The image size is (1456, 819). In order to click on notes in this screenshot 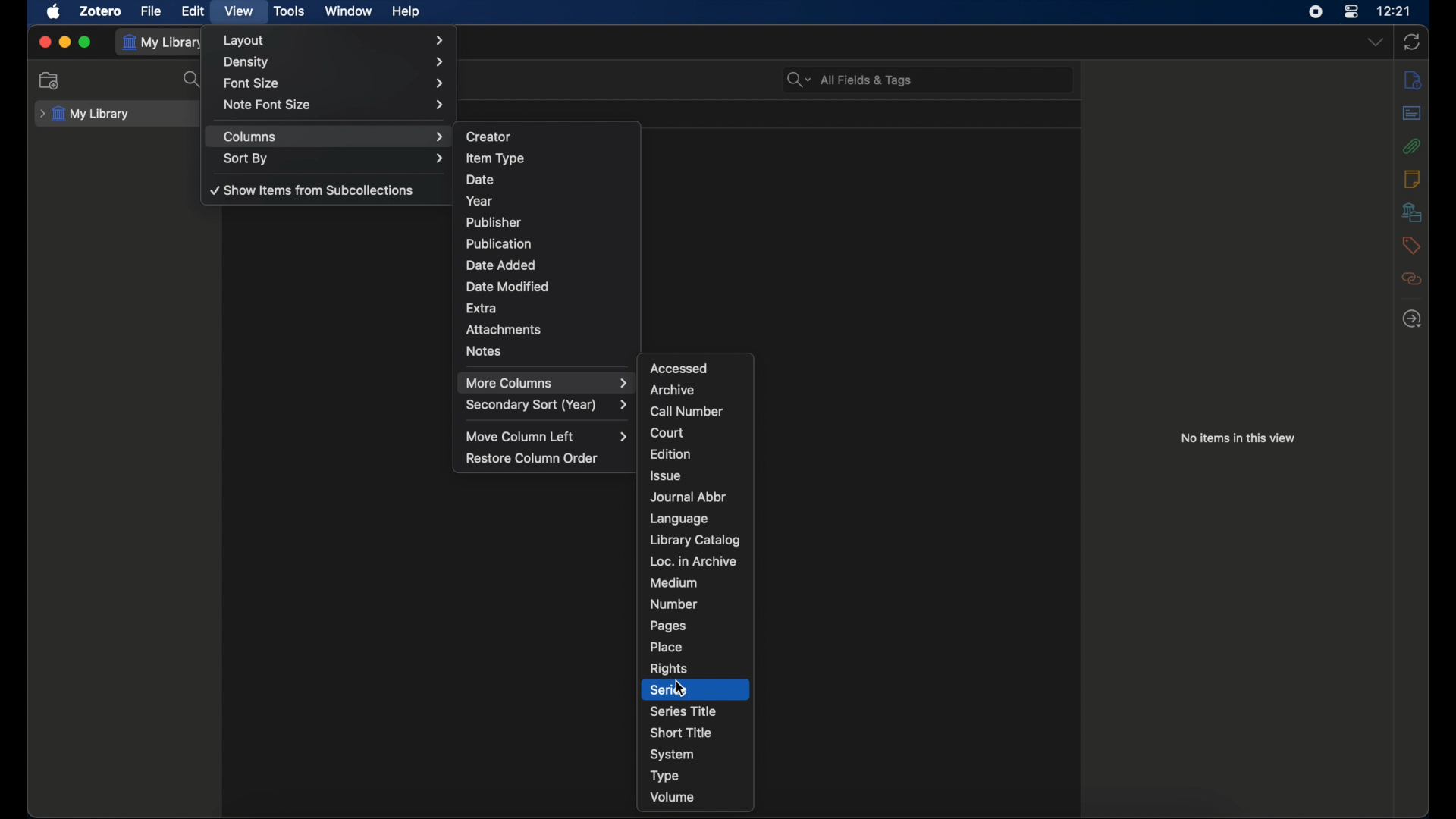, I will do `click(486, 352)`.